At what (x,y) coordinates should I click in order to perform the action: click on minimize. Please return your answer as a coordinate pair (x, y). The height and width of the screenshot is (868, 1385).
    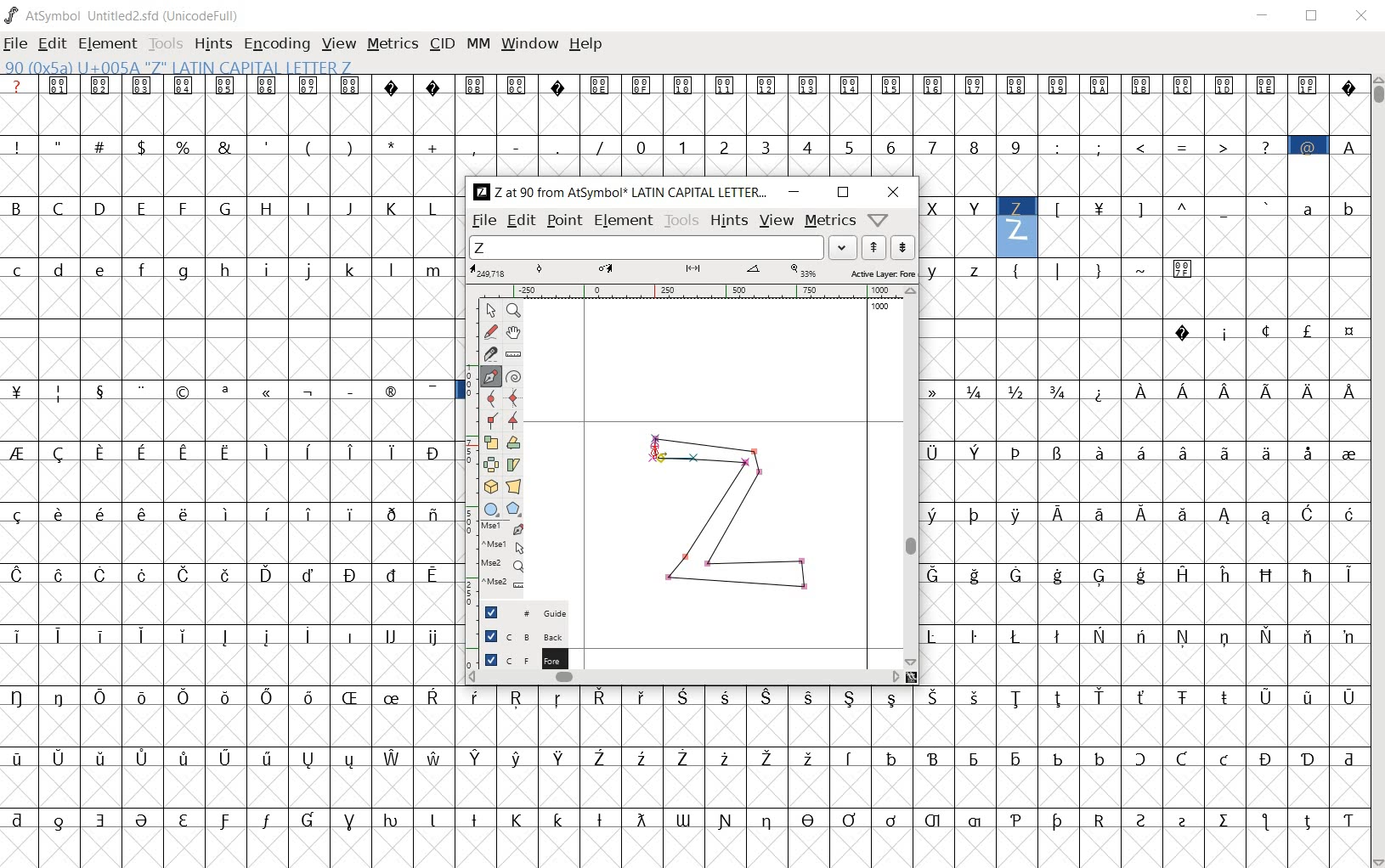
    Looking at the image, I should click on (795, 192).